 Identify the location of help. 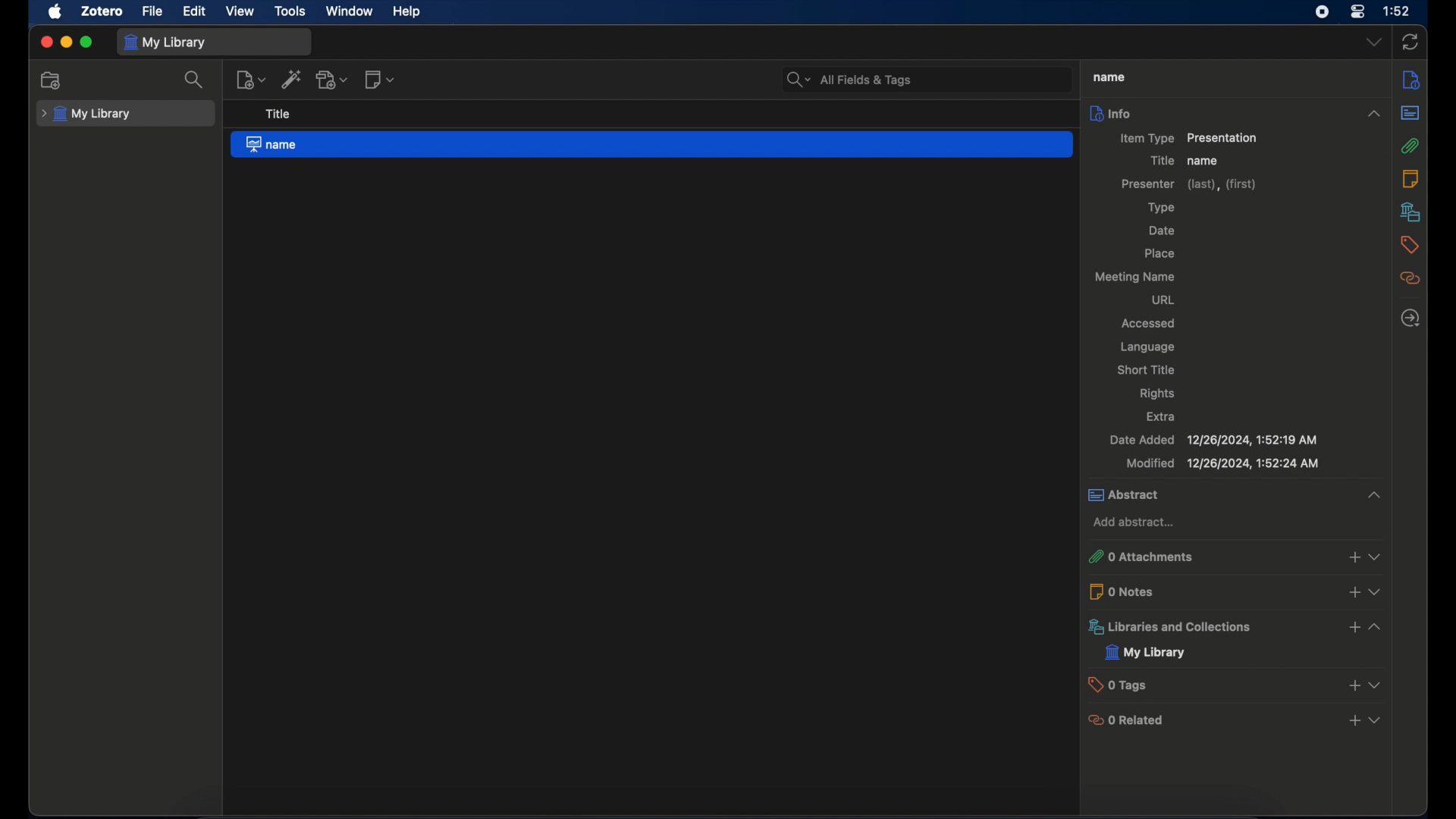
(406, 11).